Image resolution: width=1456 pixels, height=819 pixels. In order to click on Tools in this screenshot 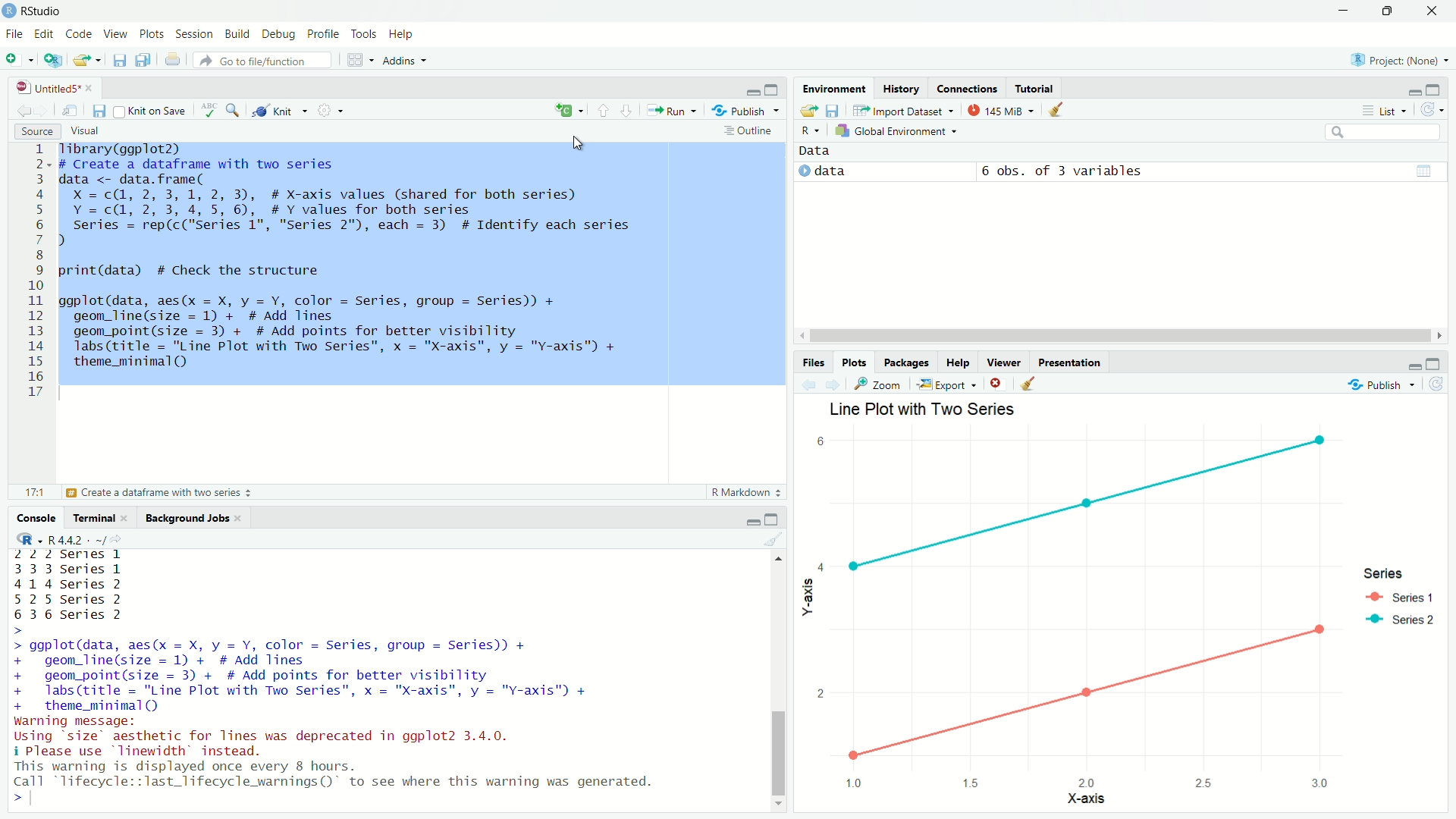, I will do `click(367, 36)`.